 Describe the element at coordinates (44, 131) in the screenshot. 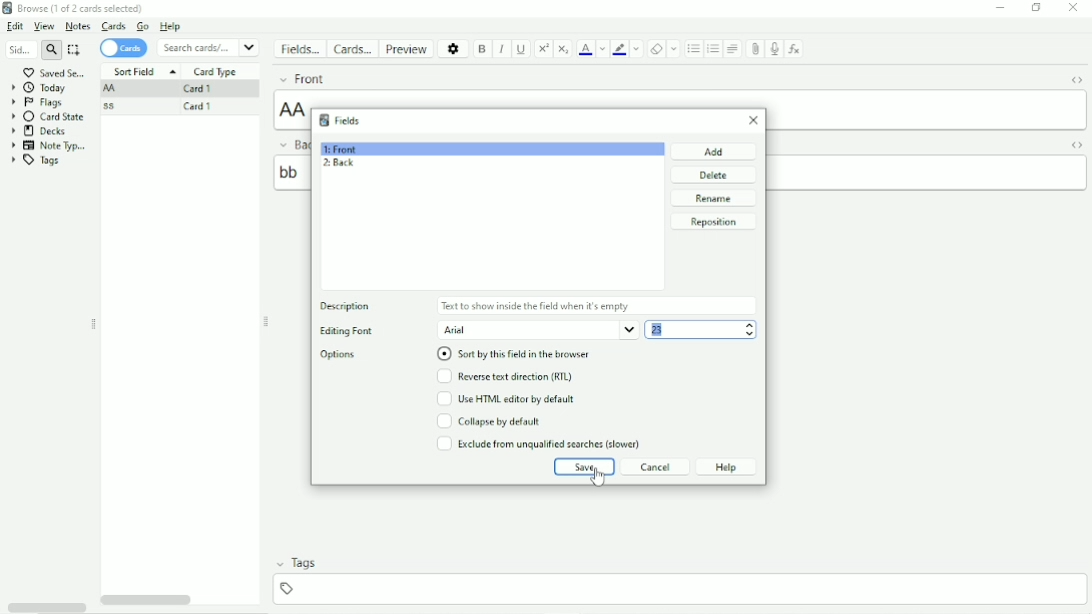

I see `Decks` at that location.